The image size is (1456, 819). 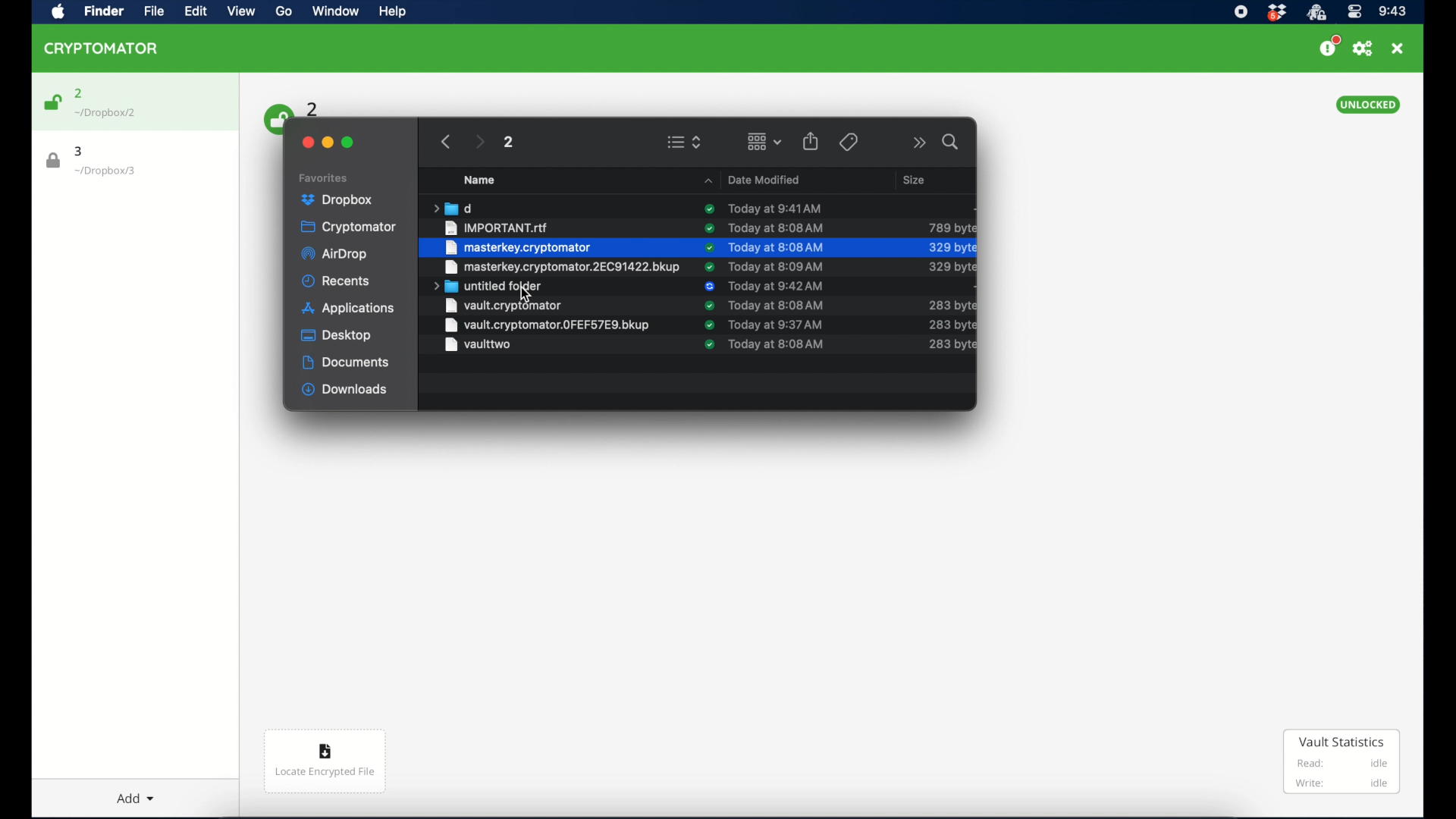 What do you see at coordinates (105, 171) in the screenshot?
I see `location` at bounding box center [105, 171].